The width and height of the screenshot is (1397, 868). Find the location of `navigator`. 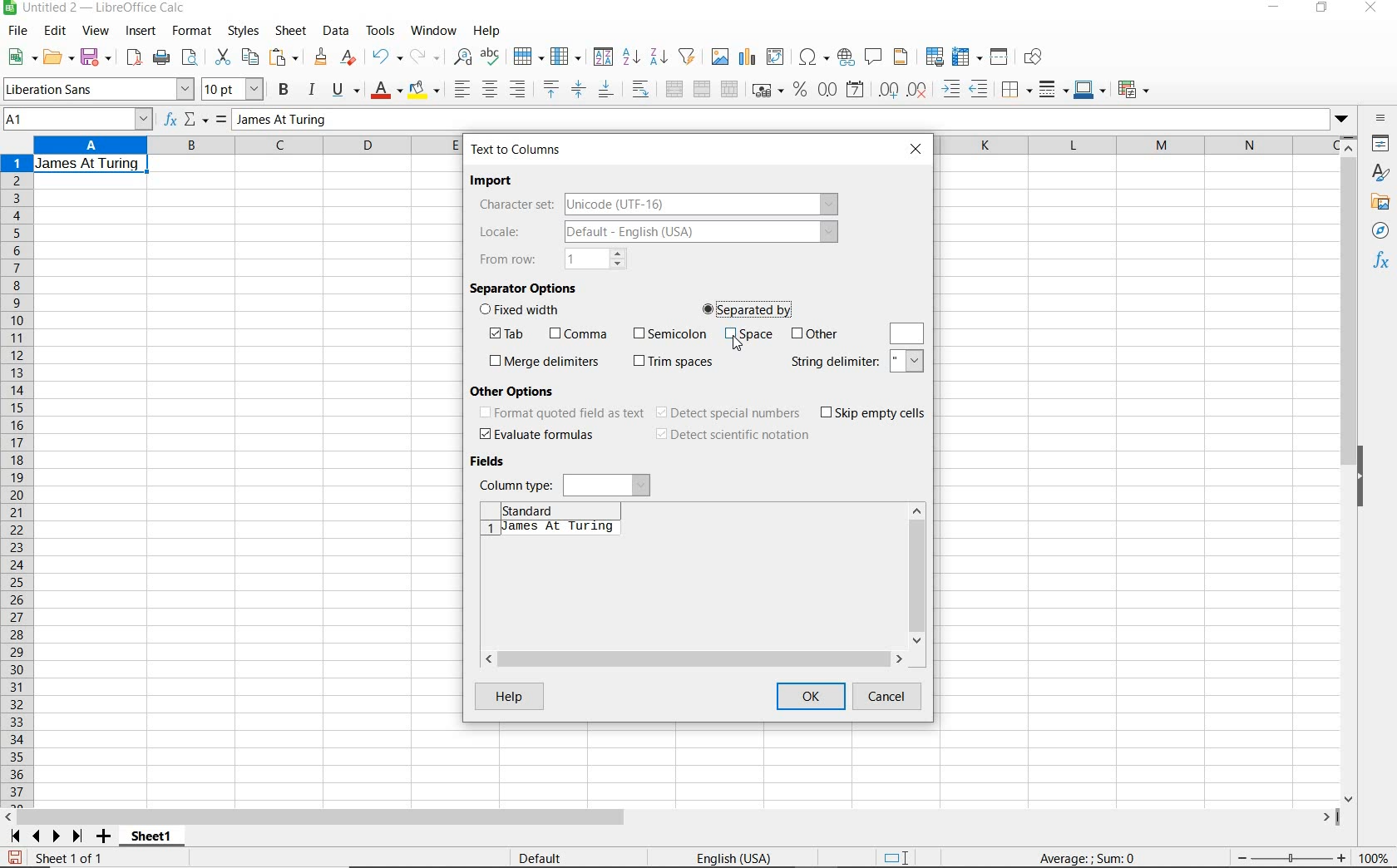

navigator is located at coordinates (1381, 230).